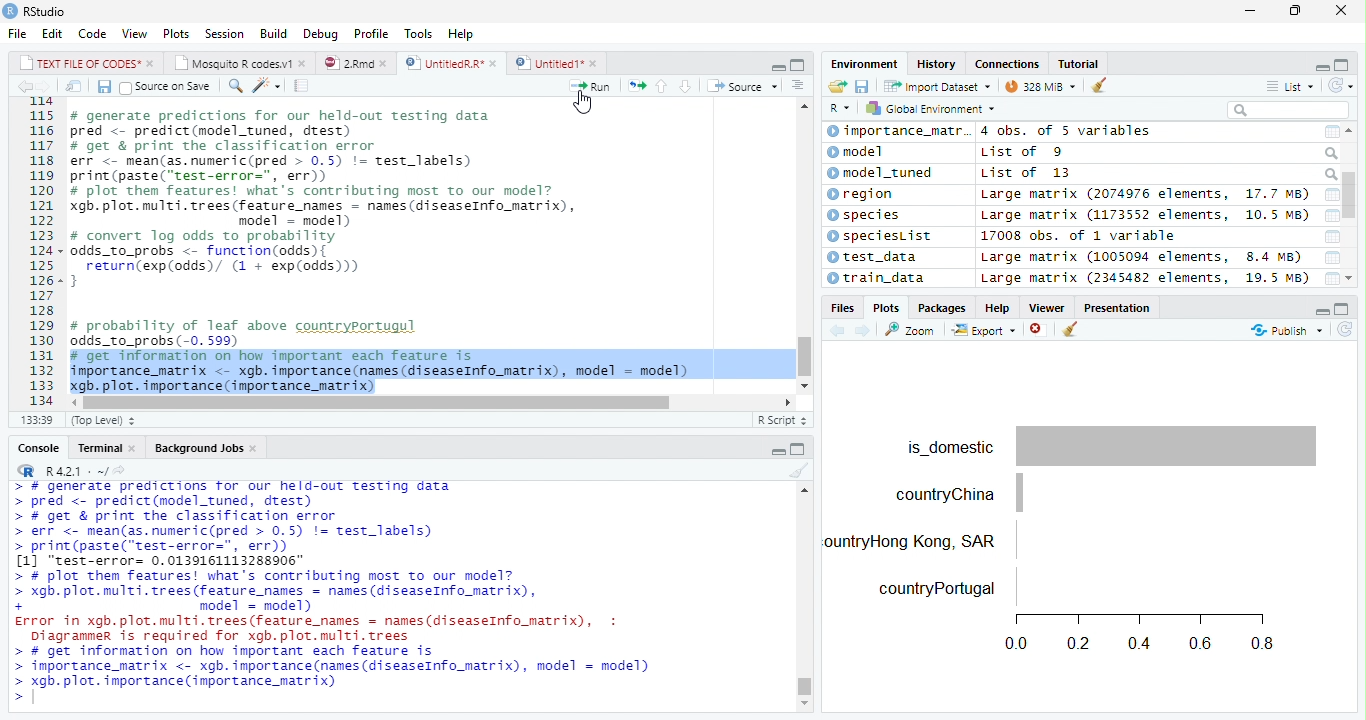 This screenshot has height=720, width=1366. What do you see at coordinates (1287, 330) in the screenshot?
I see `Publish ` at bounding box center [1287, 330].